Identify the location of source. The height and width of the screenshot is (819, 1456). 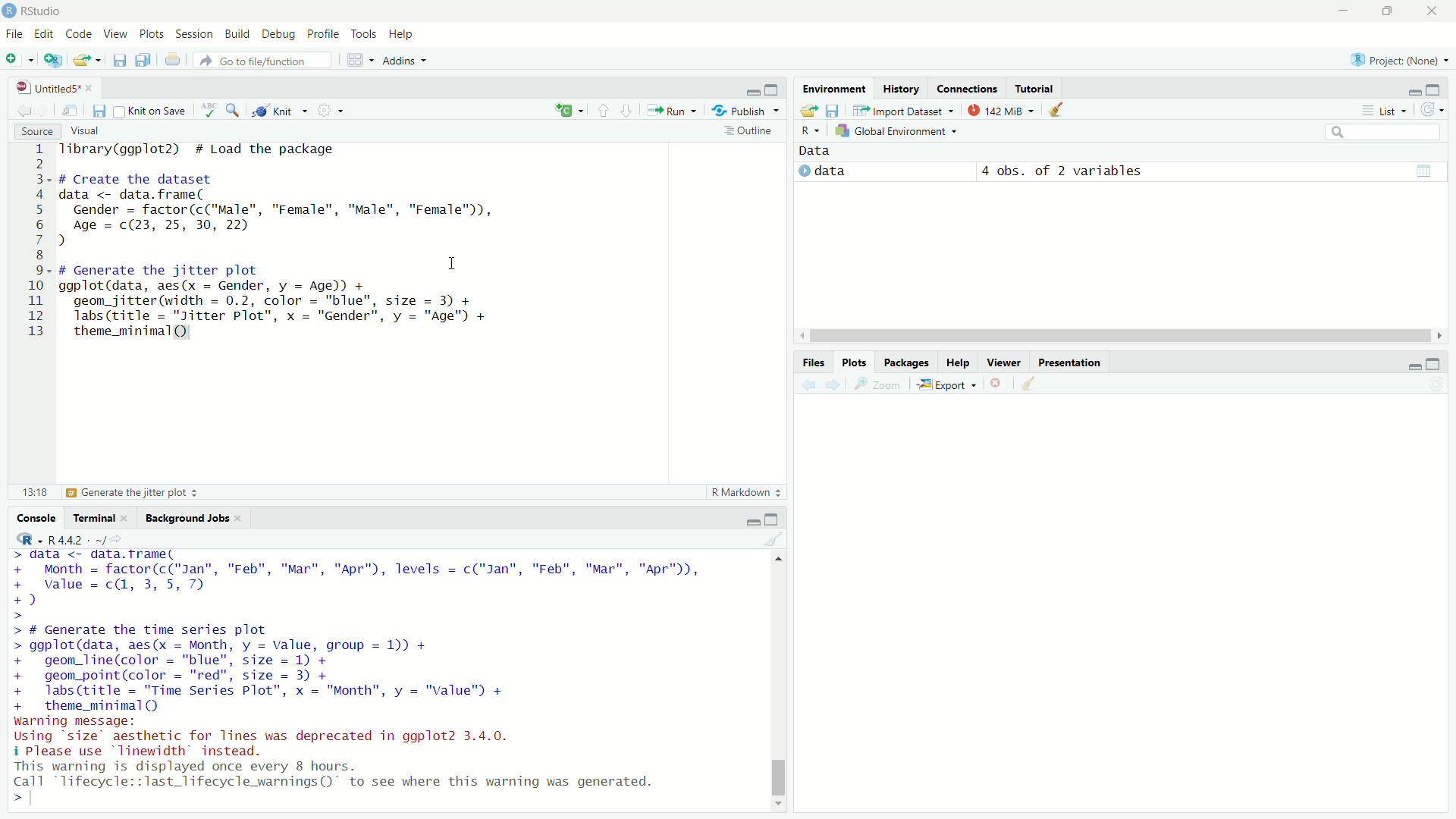
(30, 130).